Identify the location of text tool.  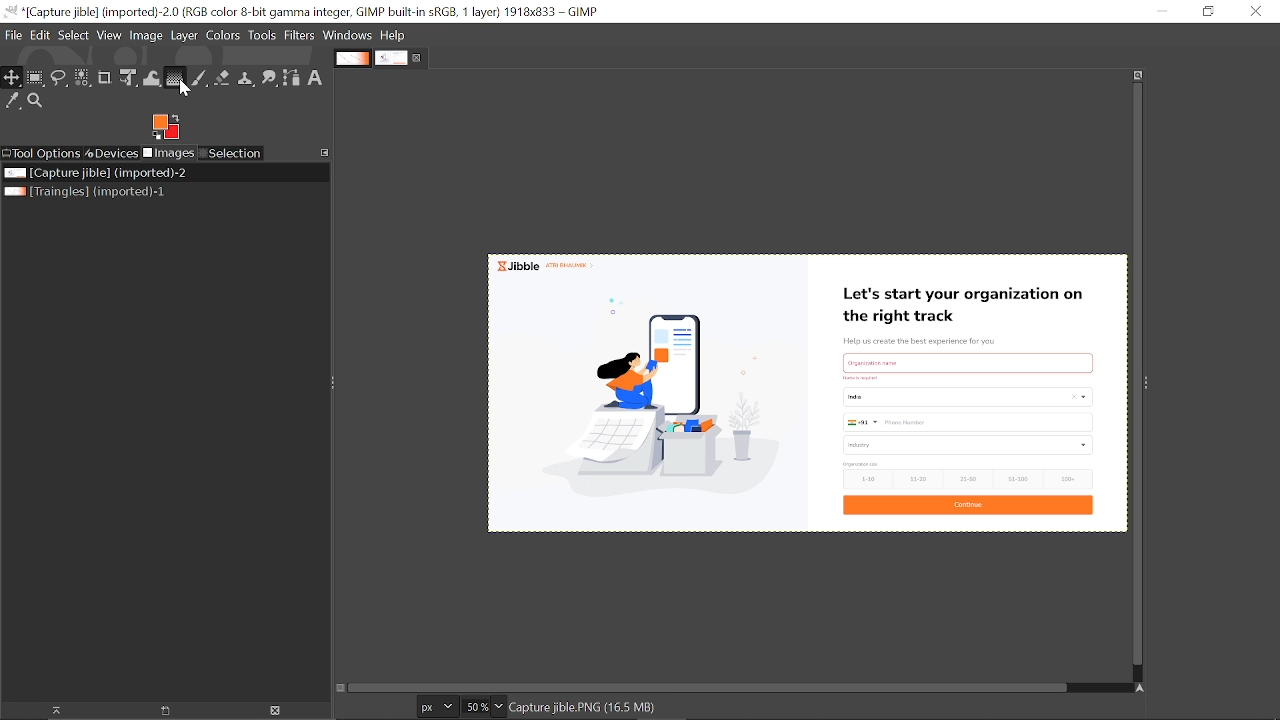
(318, 78).